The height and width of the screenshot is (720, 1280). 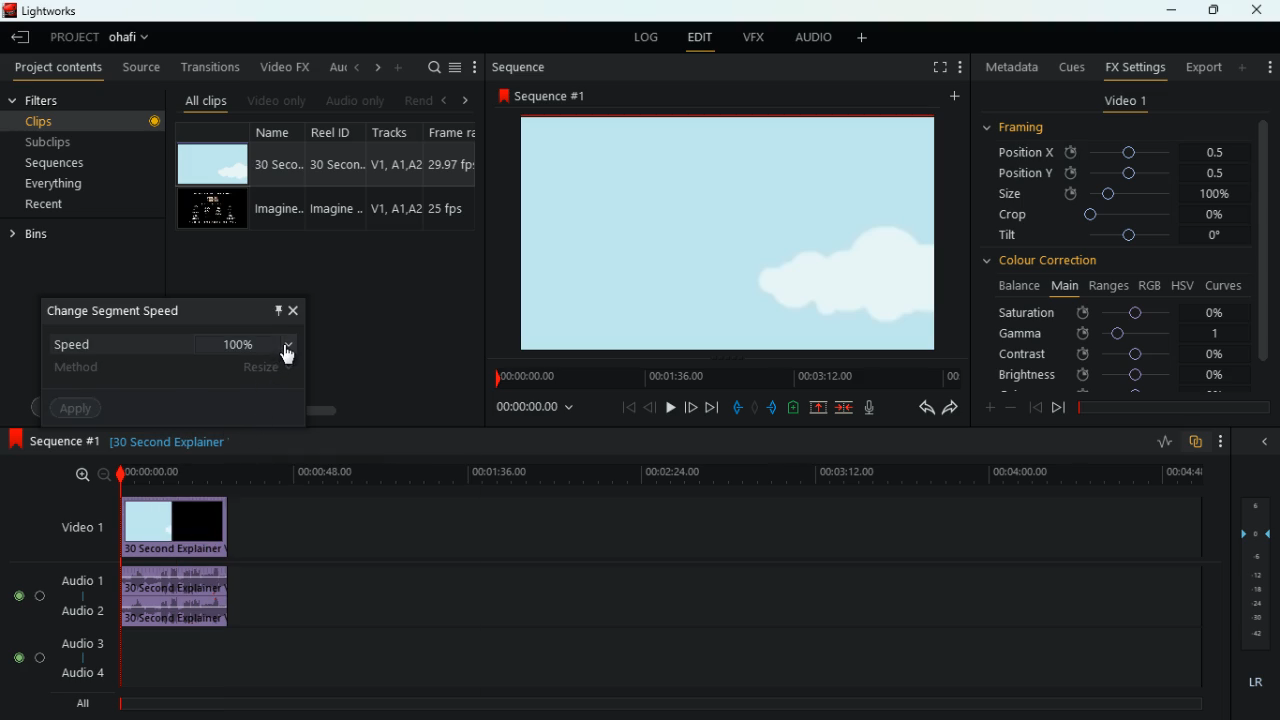 What do you see at coordinates (202, 98) in the screenshot?
I see `all clips` at bounding box center [202, 98].